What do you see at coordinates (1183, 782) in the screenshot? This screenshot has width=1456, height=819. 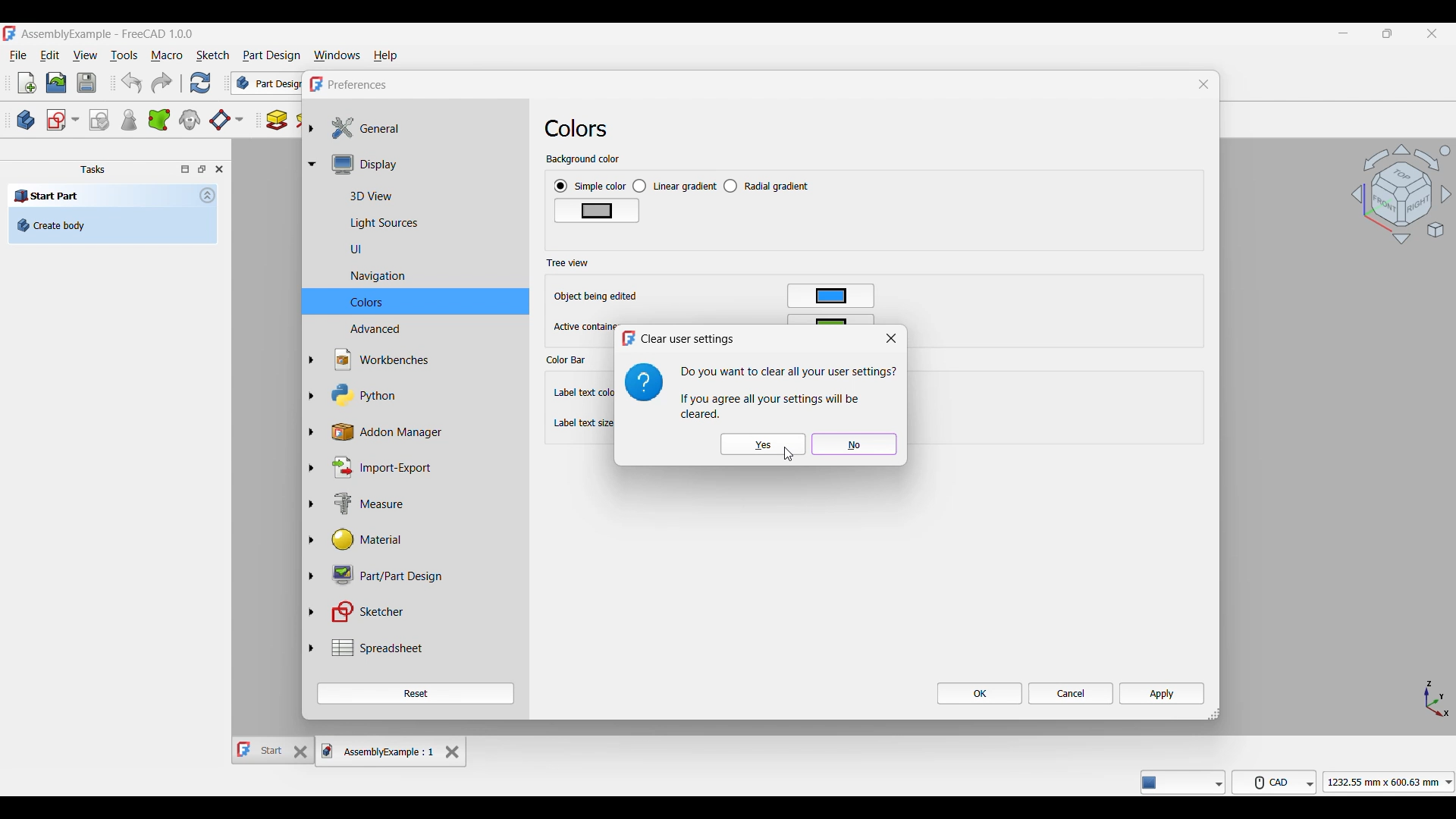 I see `Type, Notifier, Message details` at bounding box center [1183, 782].